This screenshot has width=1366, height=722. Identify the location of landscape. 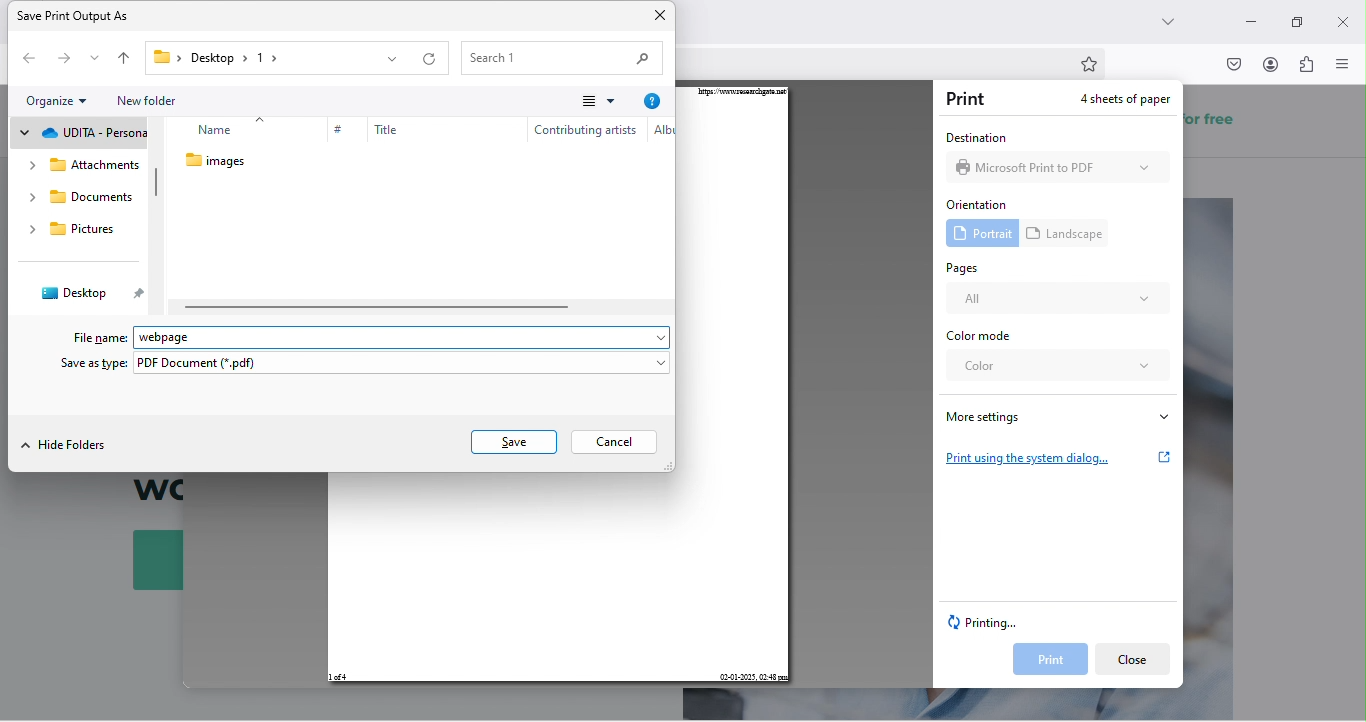
(1069, 233).